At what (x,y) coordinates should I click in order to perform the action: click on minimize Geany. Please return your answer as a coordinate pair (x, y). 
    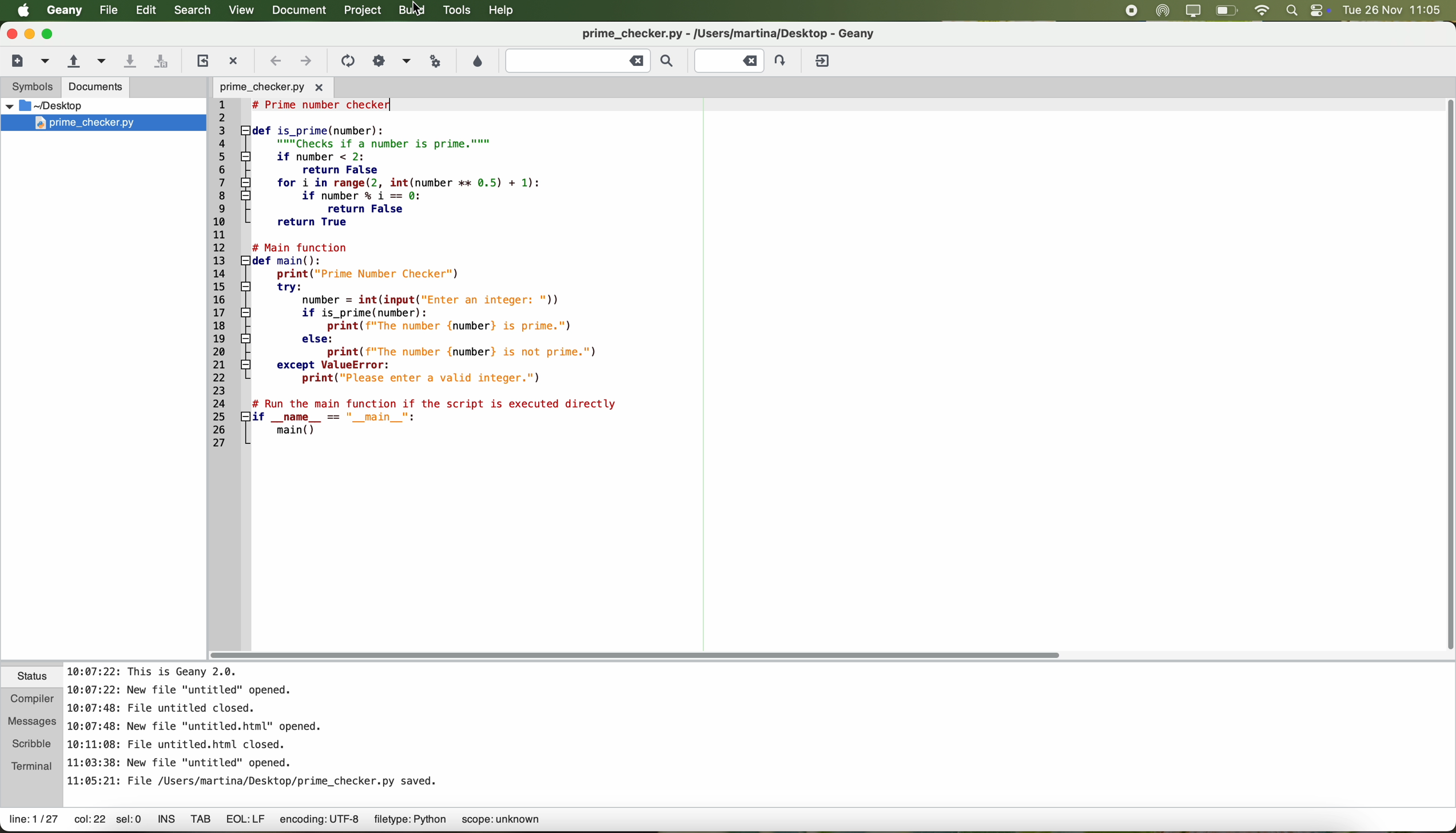
    Looking at the image, I should click on (30, 33).